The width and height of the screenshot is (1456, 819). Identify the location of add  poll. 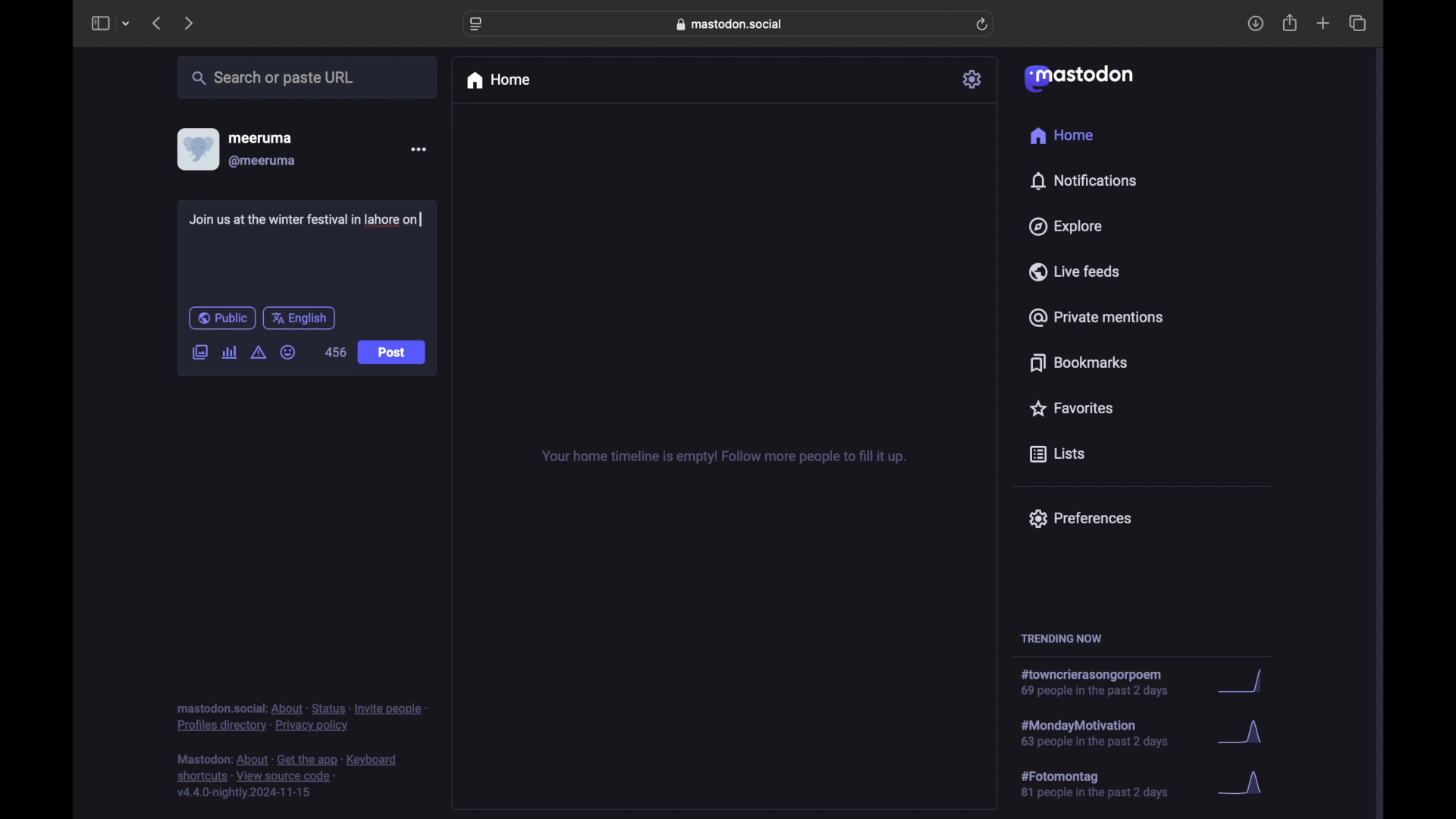
(229, 352).